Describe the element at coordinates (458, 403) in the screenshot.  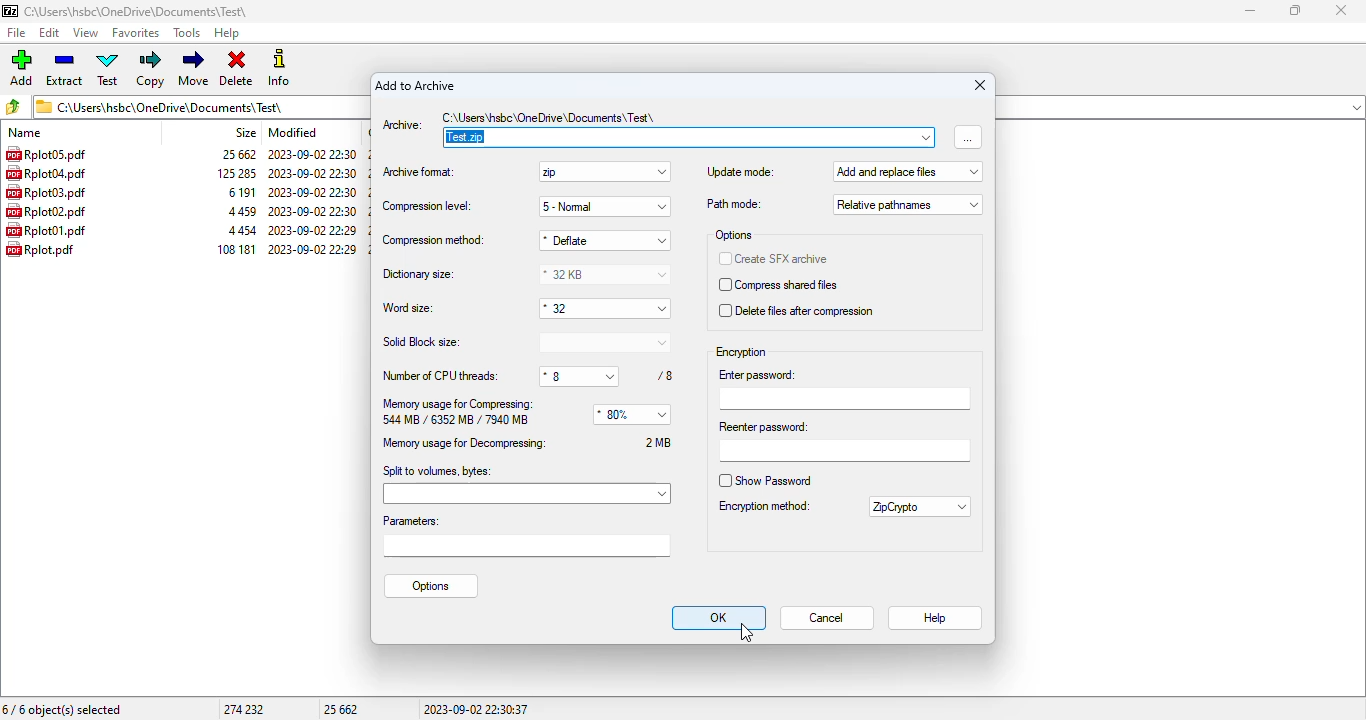
I see `memory usage for compressing:` at that location.